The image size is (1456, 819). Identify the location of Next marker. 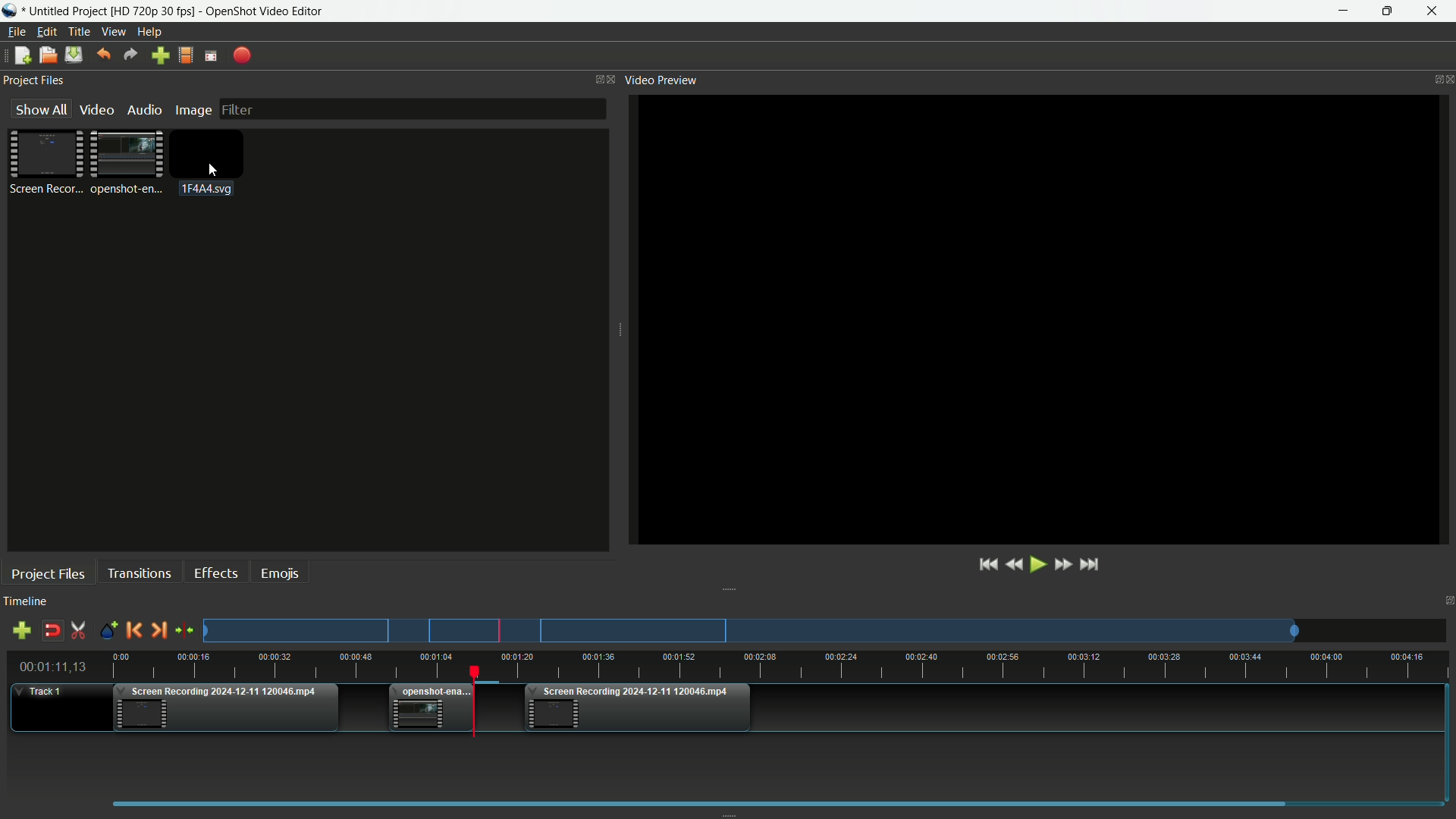
(157, 631).